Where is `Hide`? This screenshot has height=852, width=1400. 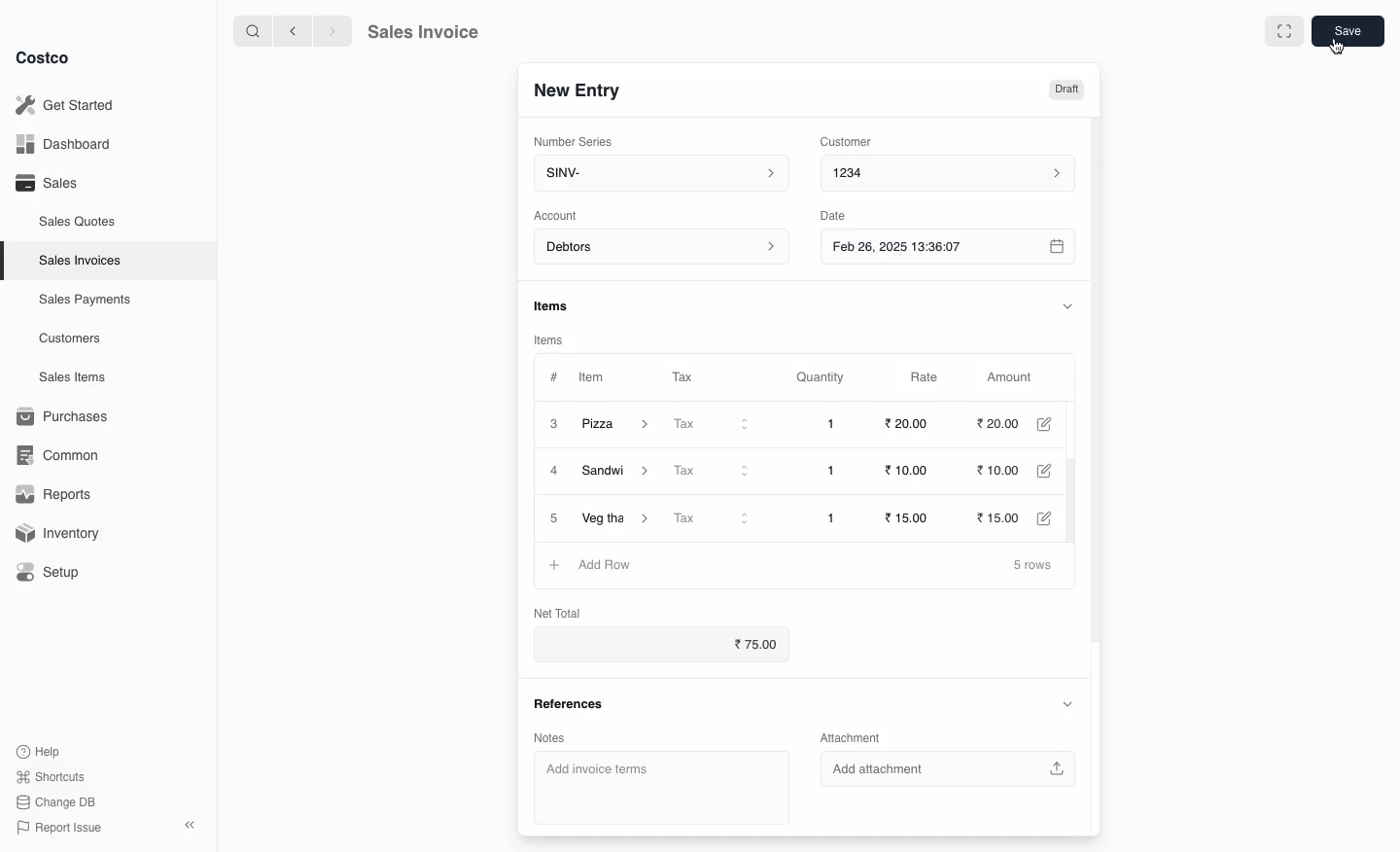 Hide is located at coordinates (1067, 305).